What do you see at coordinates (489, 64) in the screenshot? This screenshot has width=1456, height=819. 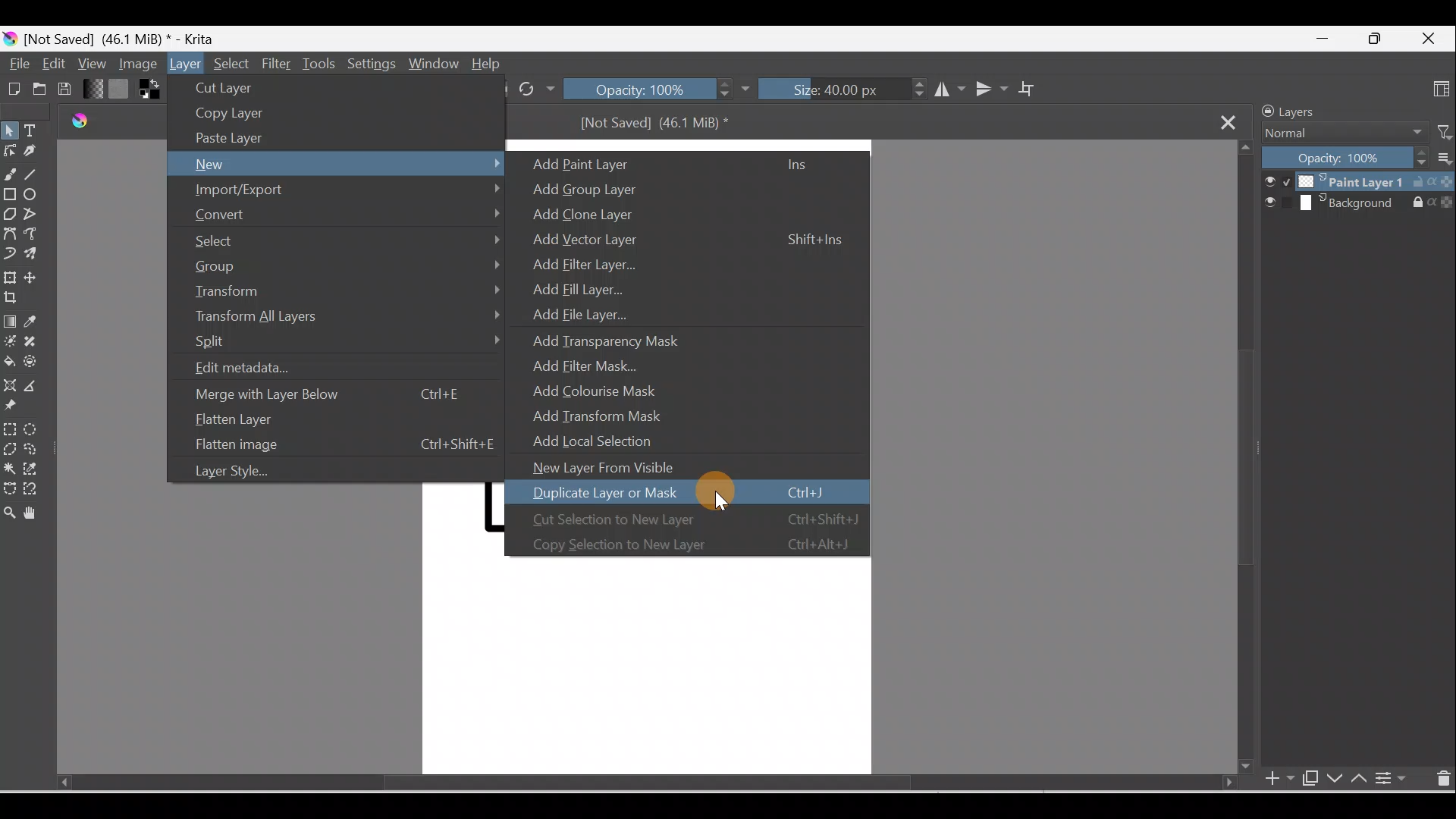 I see `Help` at bounding box center [489, 64].